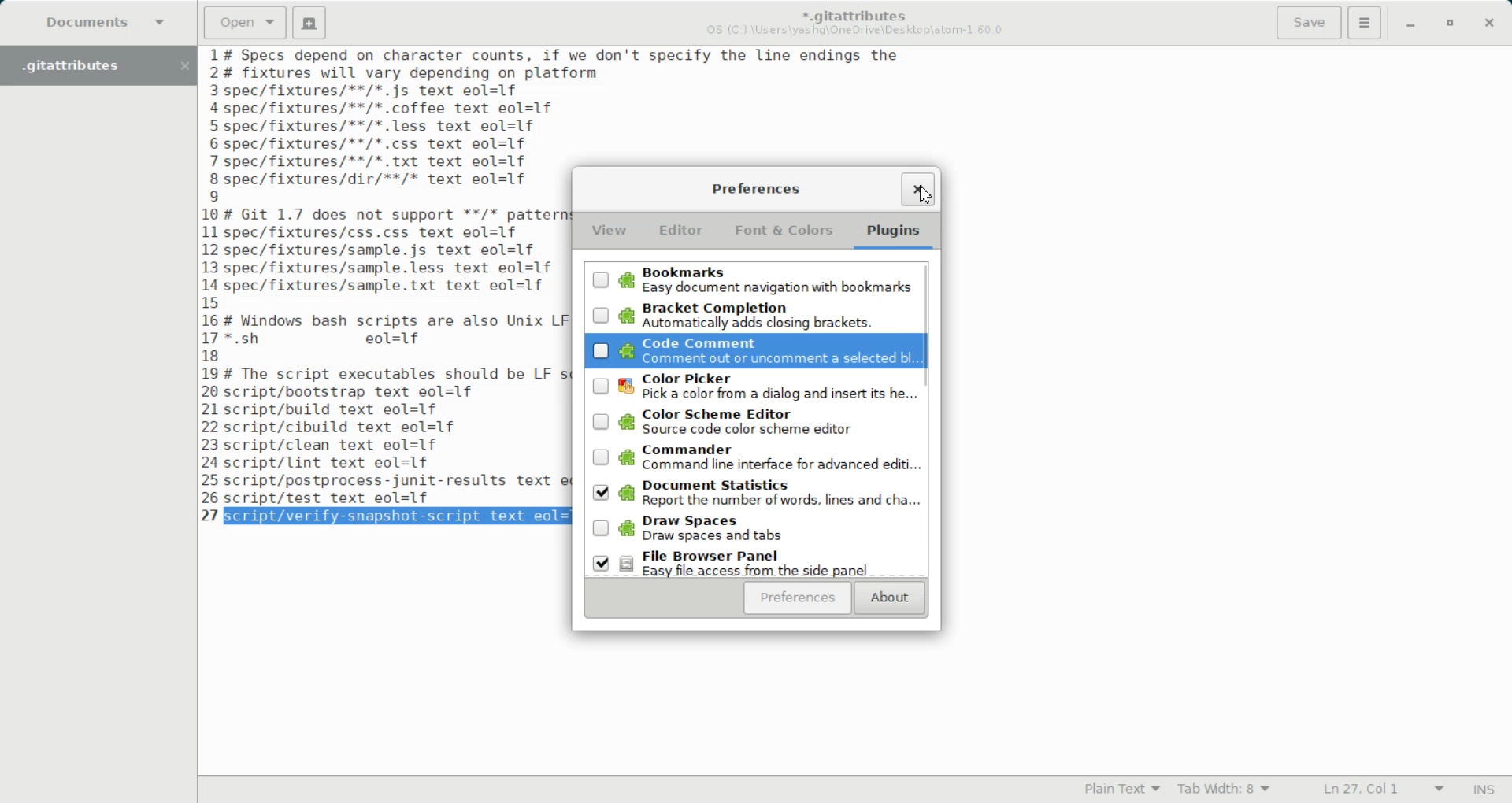 This screenshot has height=803, width=1512. I want to click on INS, so click(1484, 789).